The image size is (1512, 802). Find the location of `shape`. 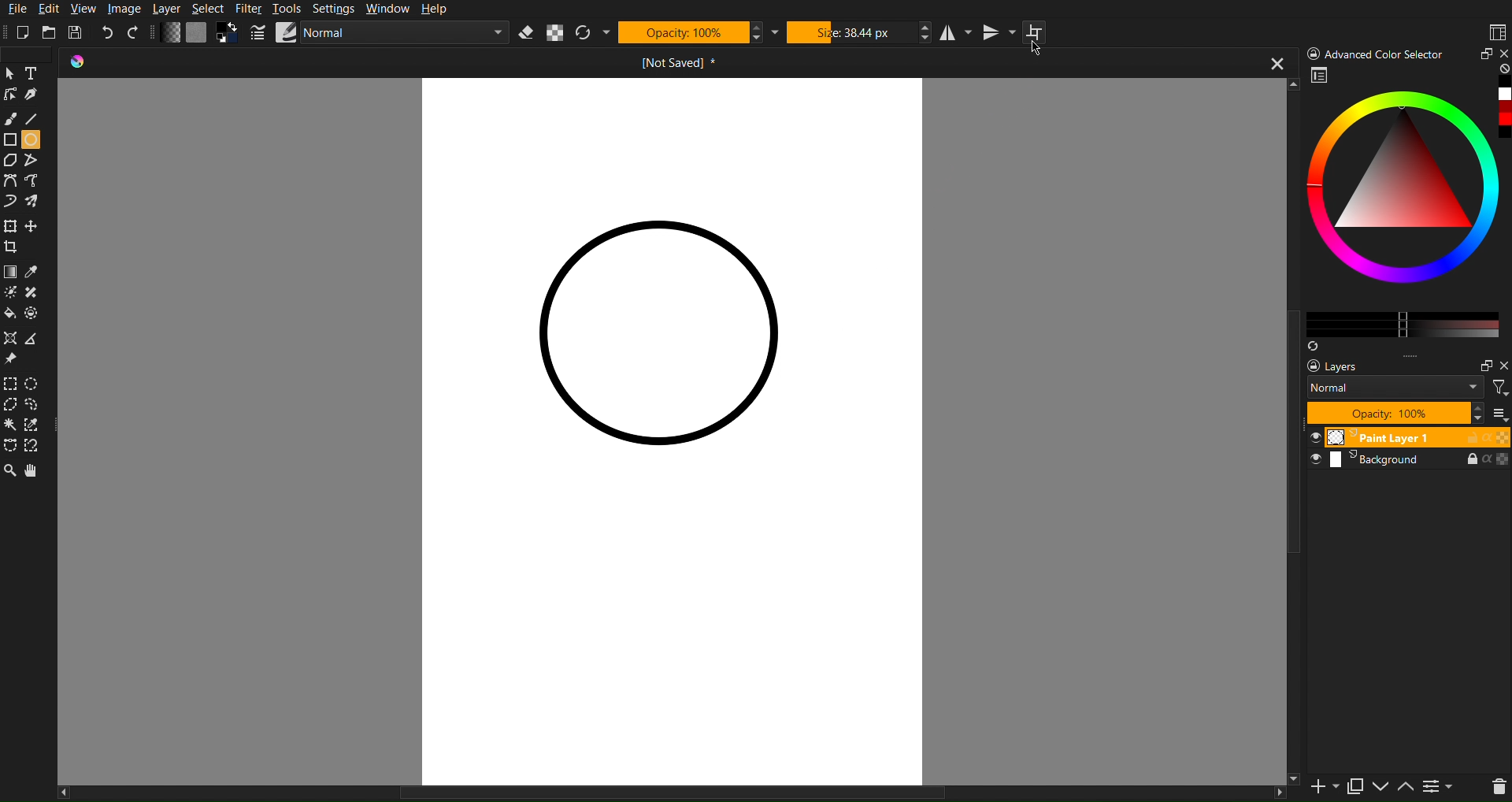

shape is located at coordinates (35, 293).